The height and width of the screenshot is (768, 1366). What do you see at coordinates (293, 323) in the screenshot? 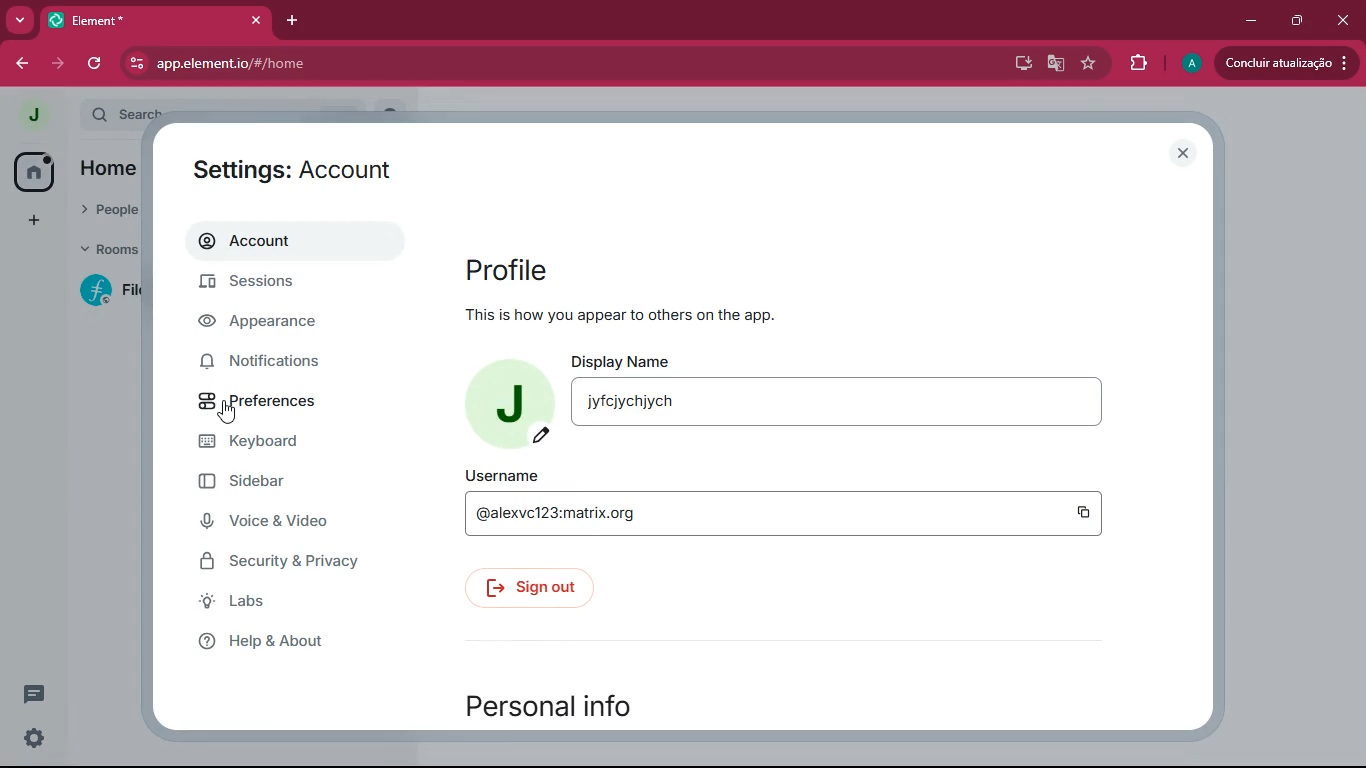
I see `appearance` at bounding box center [293, 323].